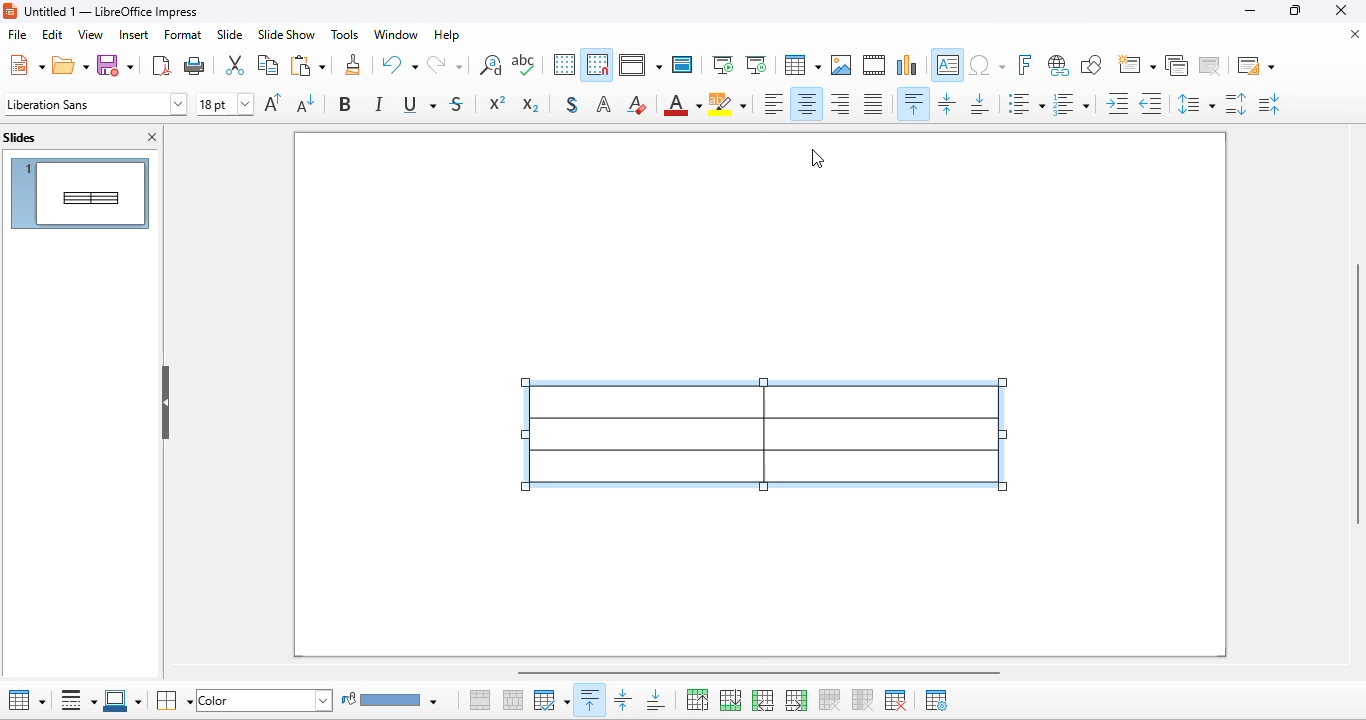 This screenshot has width=1366, height=720. Describe the element at coordinates (195, 66) in the screenshot. I see `print` at that location.